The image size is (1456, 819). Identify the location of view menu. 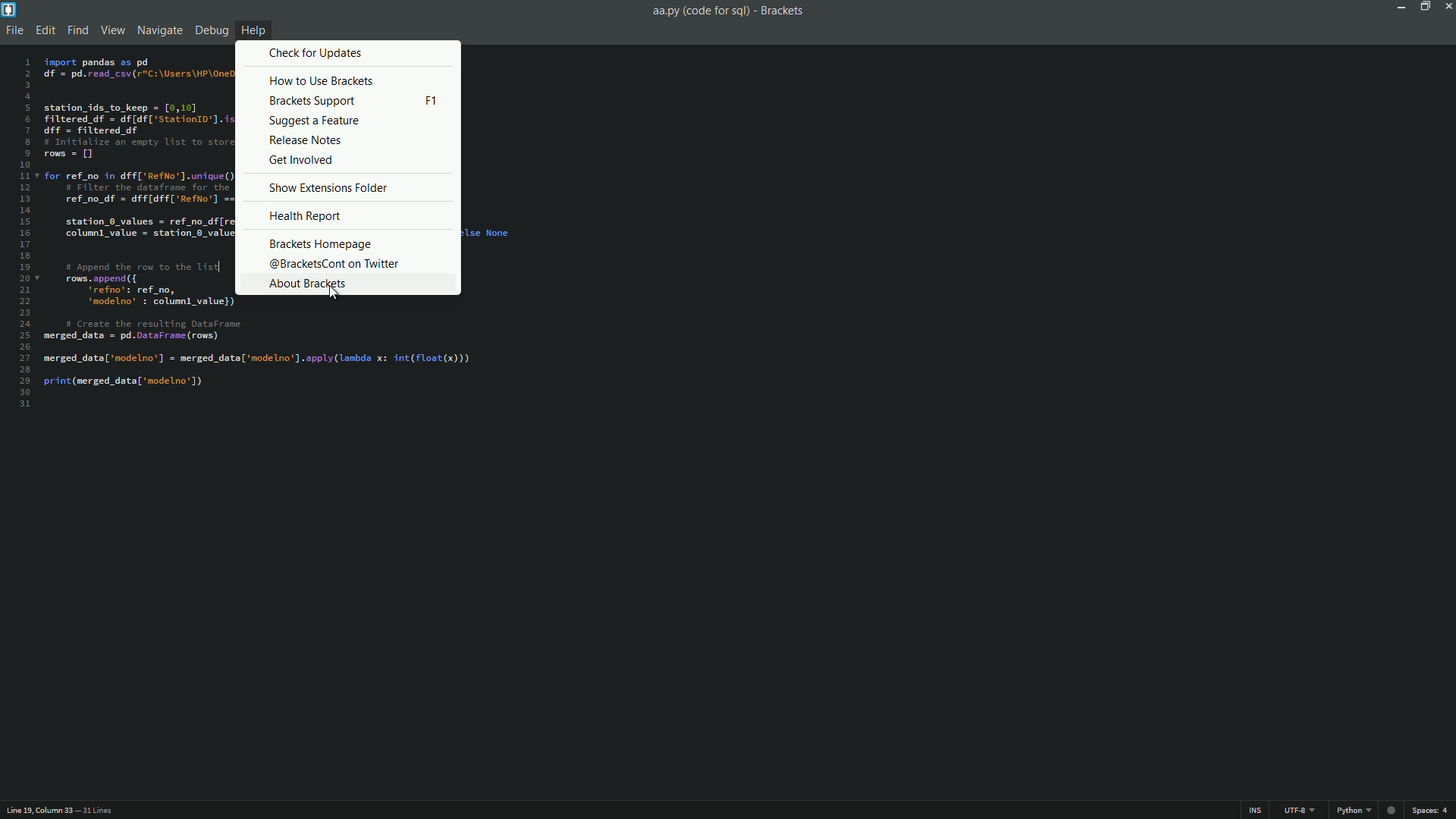
(113, 30).